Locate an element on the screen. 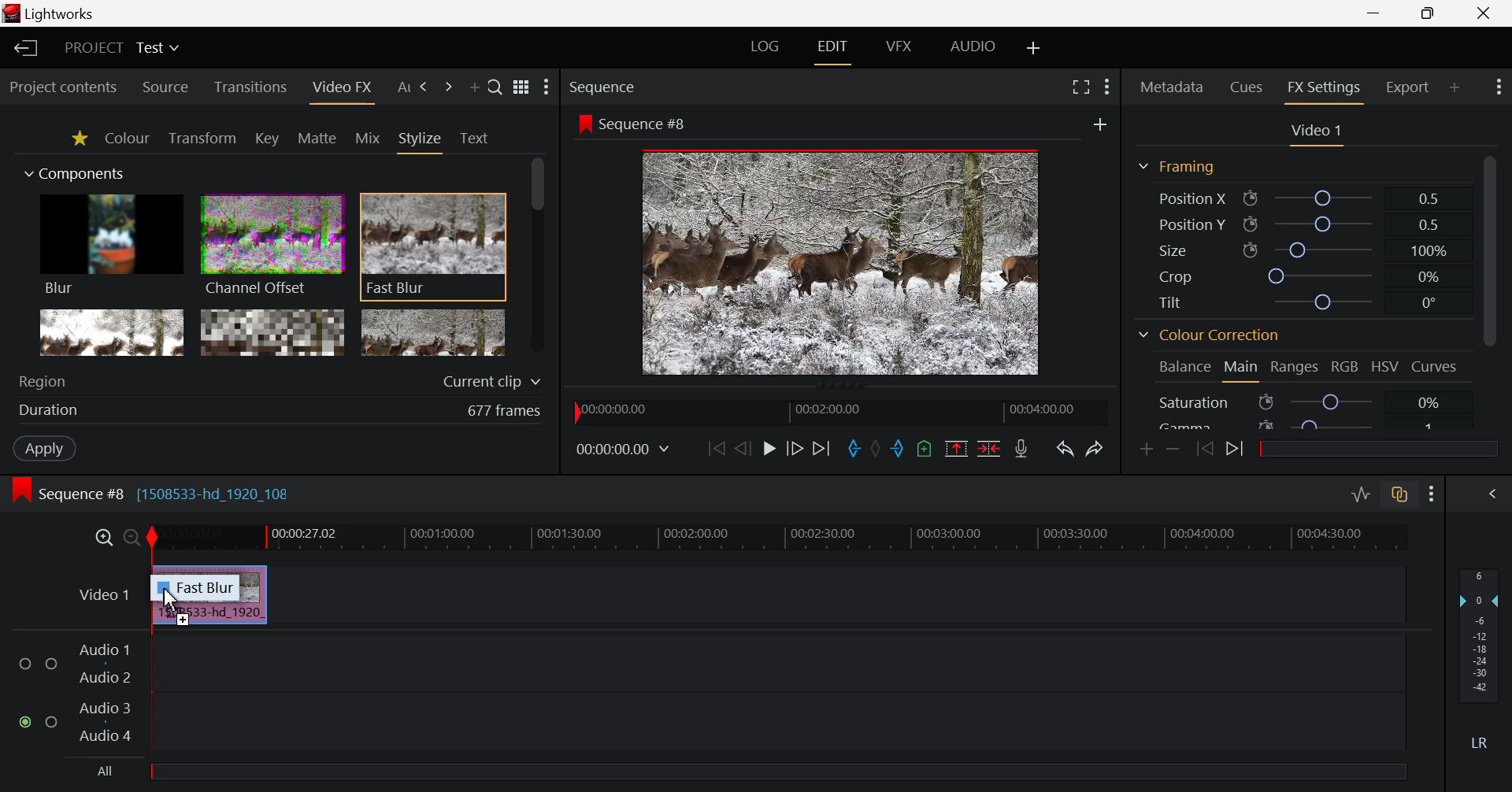 This screenshot has width=1512, height=792. Timeline Zoom In is located at coordinates (102, 538).